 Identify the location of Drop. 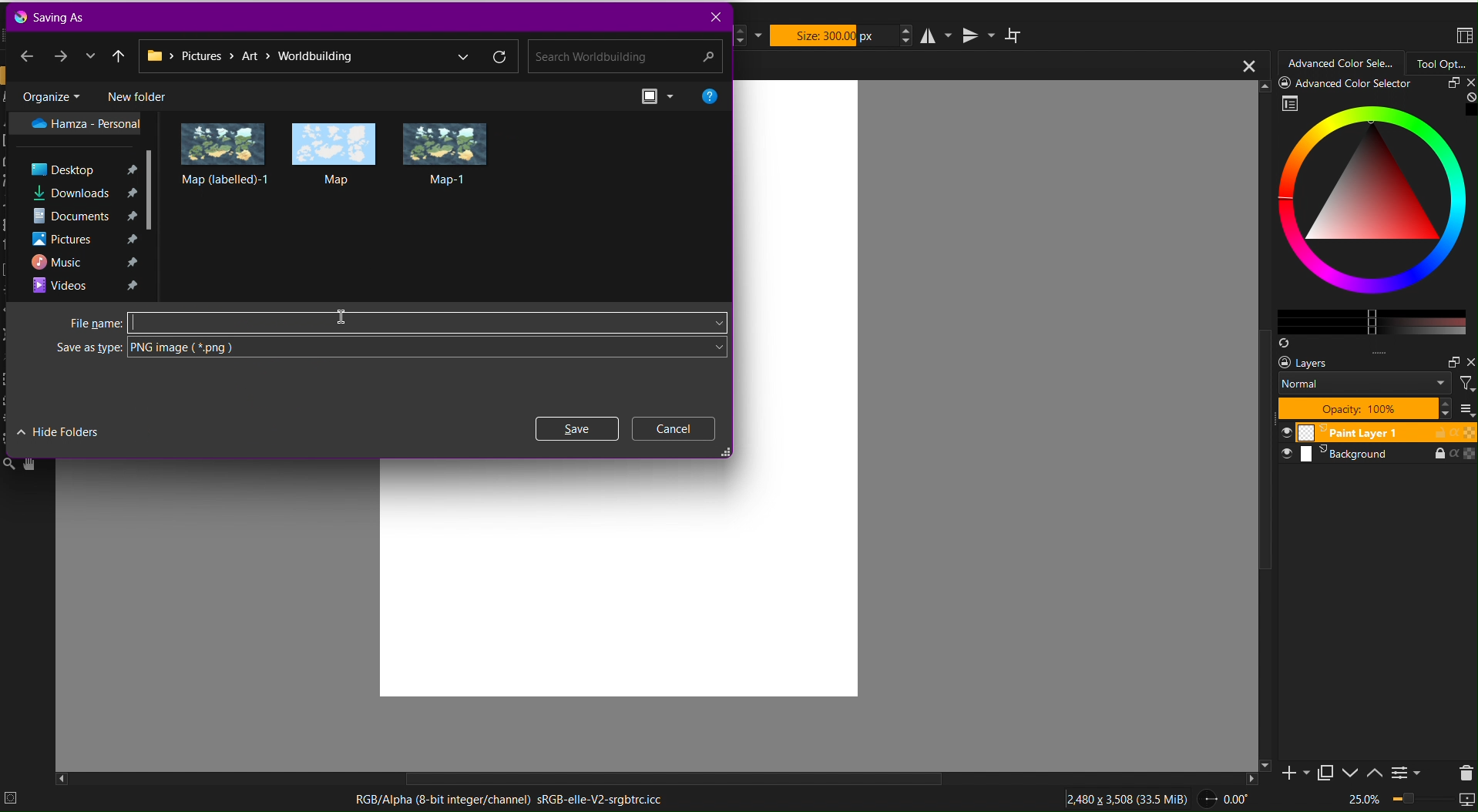
(90, 55).